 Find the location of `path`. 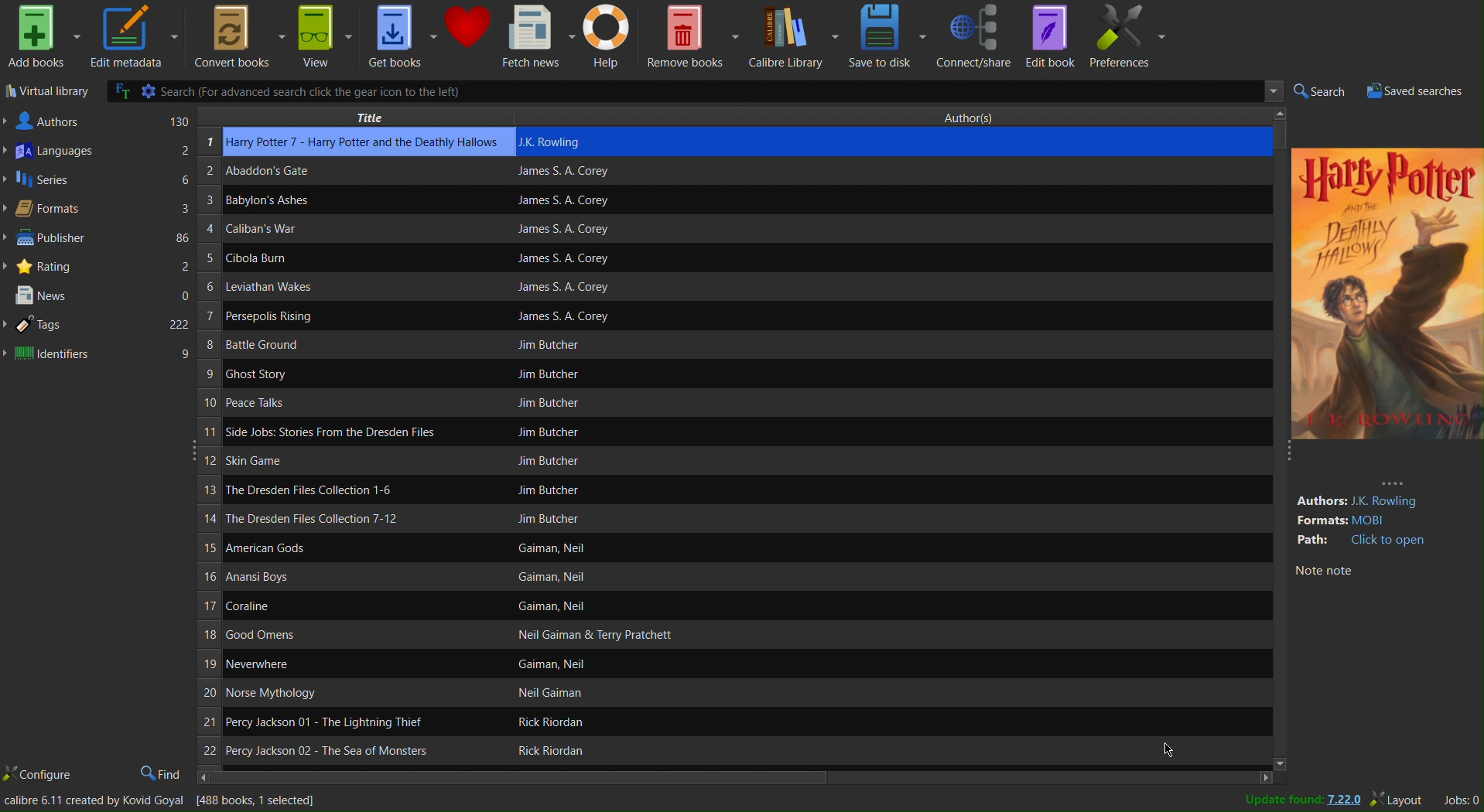

path is located at coordinates (1362, 542).